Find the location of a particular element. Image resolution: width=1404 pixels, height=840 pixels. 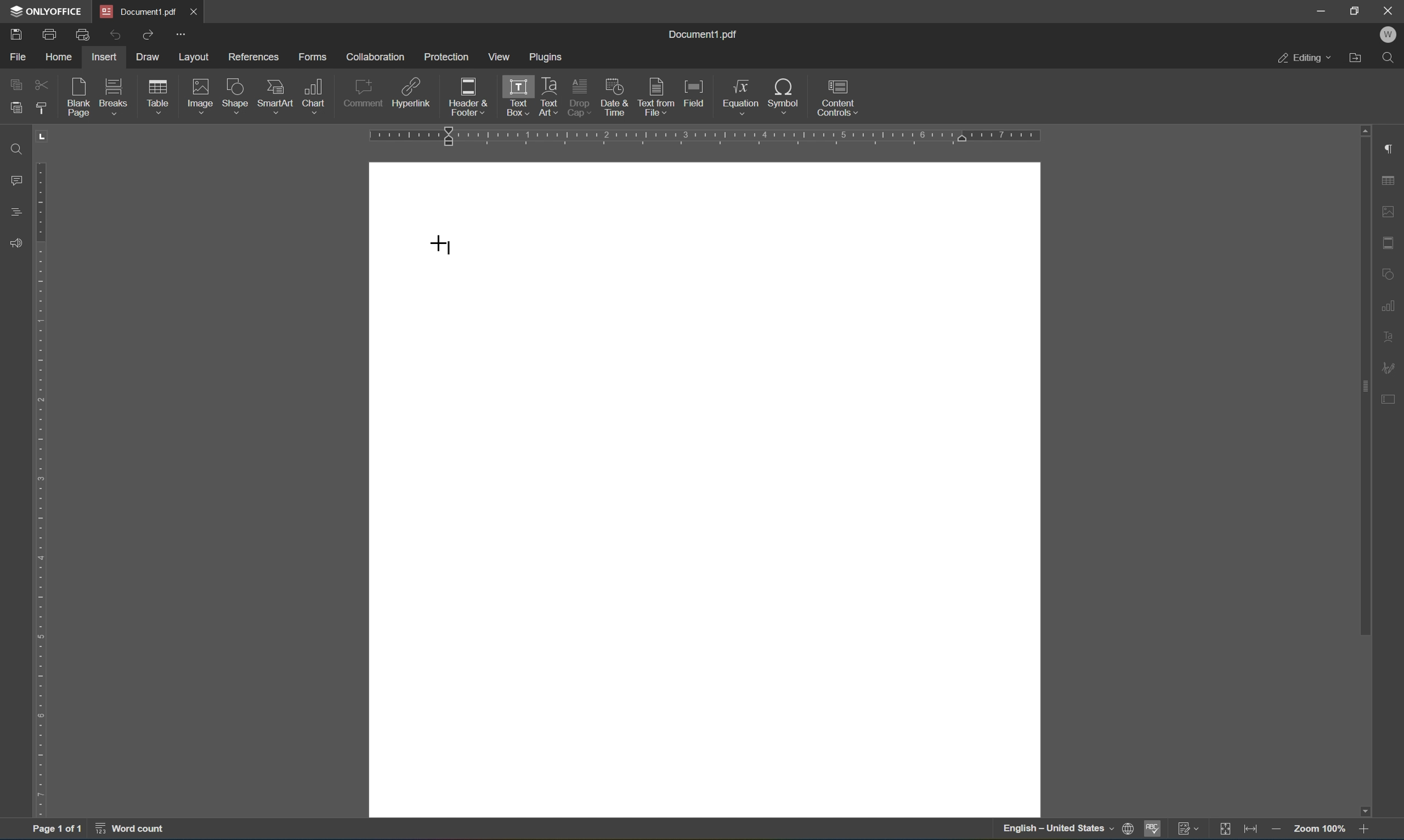

Quick print is located at coordinates (84, 33).